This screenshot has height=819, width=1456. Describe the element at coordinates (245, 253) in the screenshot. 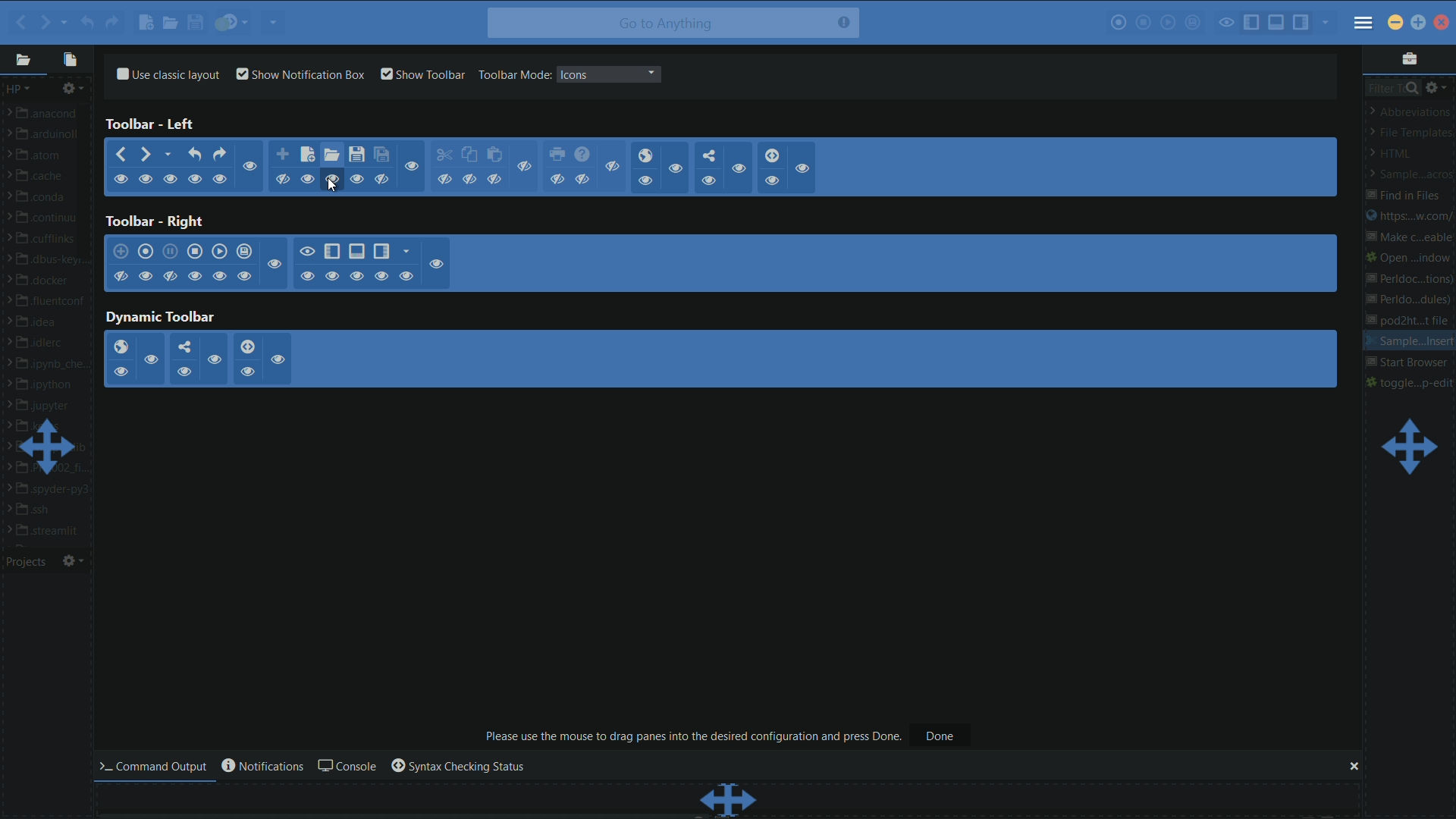

I see `save macro to toolbox` at that location.